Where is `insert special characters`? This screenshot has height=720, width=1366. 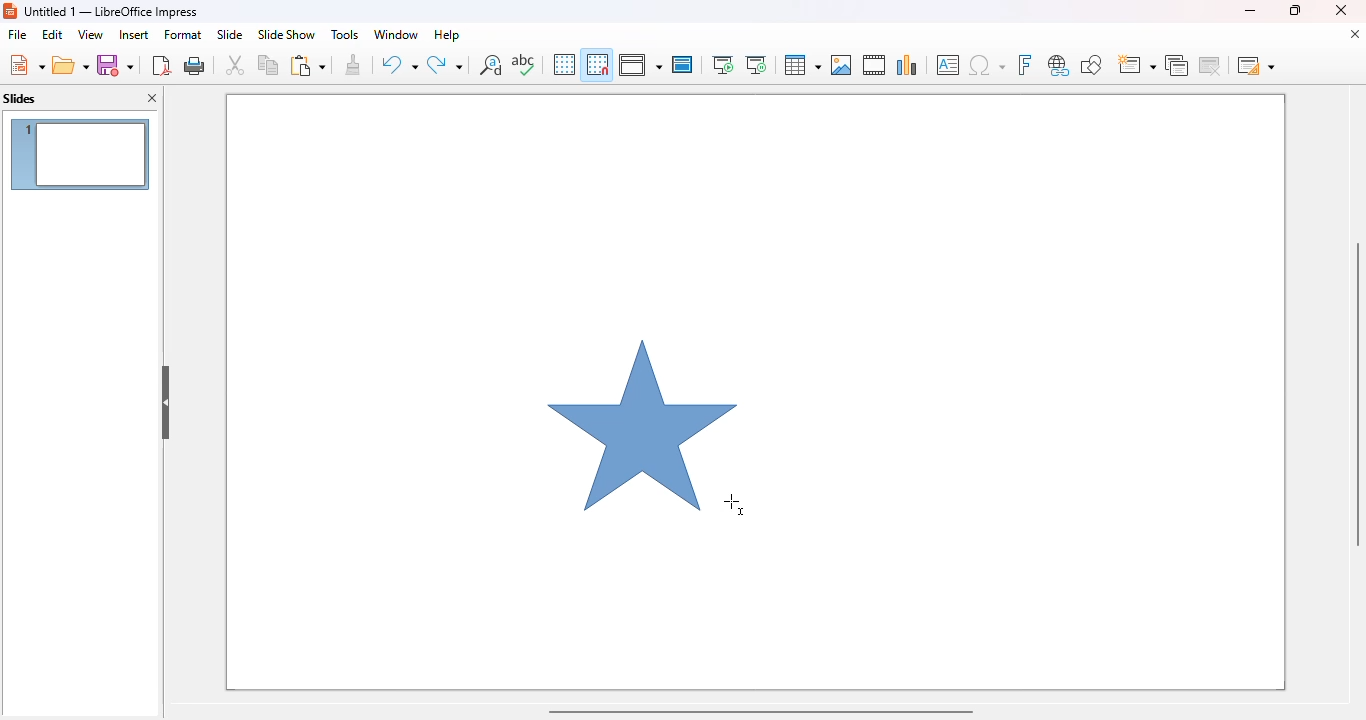
insert special characters is located at coordinates (987, 65).